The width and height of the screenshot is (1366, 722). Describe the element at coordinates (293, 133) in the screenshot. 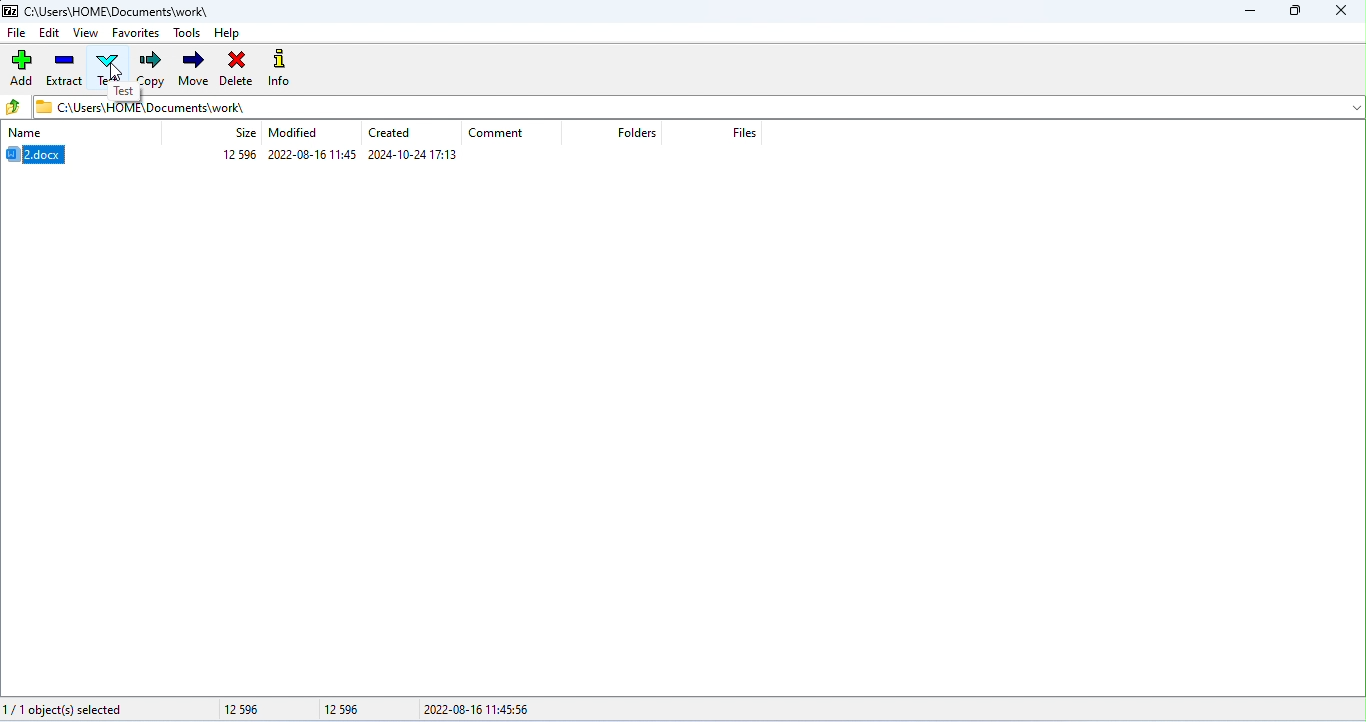

I see `modified` at that location.